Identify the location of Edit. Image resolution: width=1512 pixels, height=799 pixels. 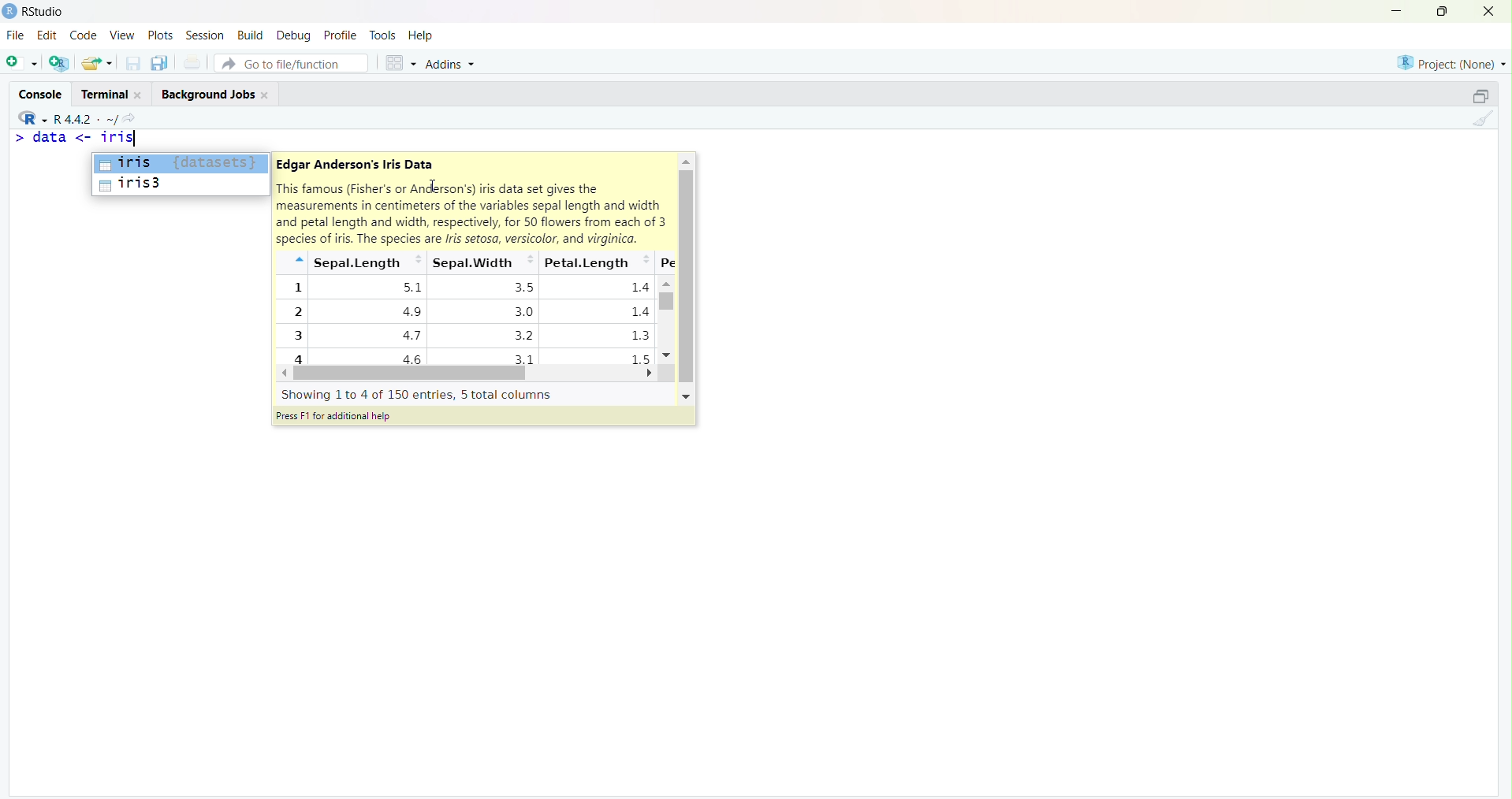
(47, 33).